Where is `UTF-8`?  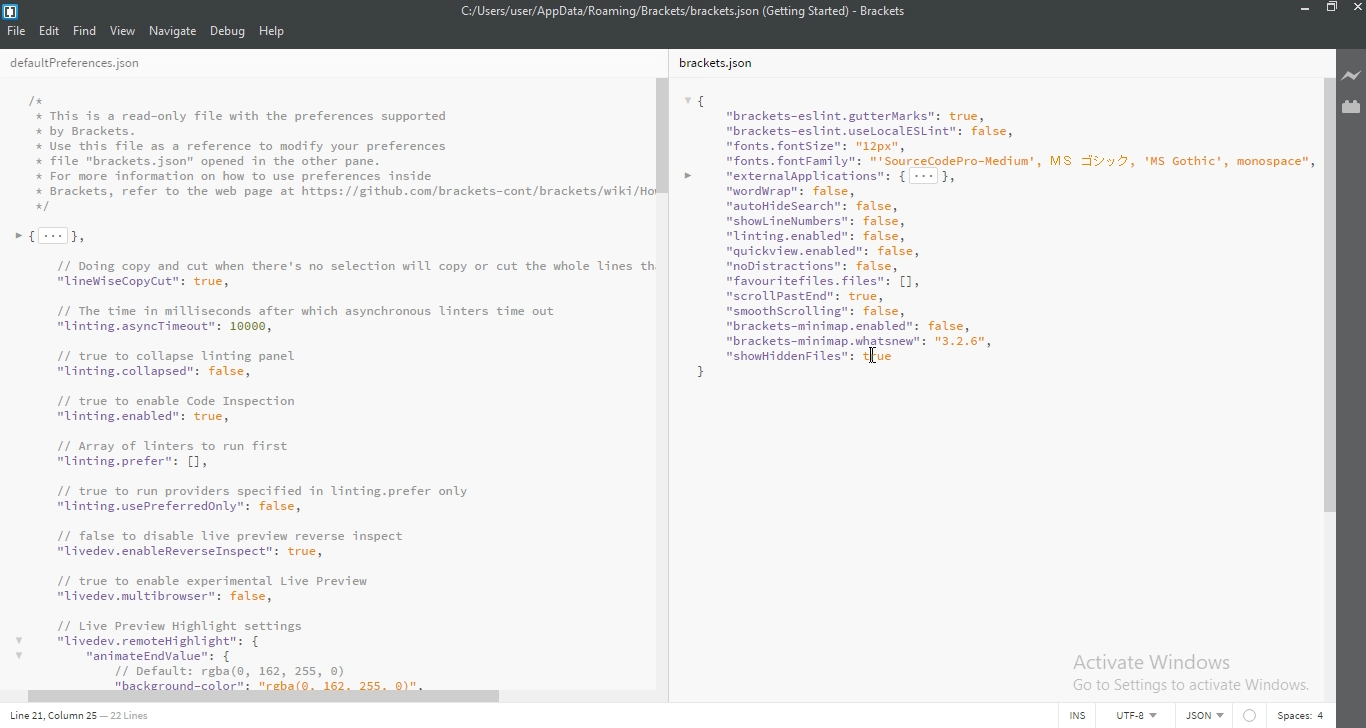 UTF-8 is located at coordinates (1142, 715).